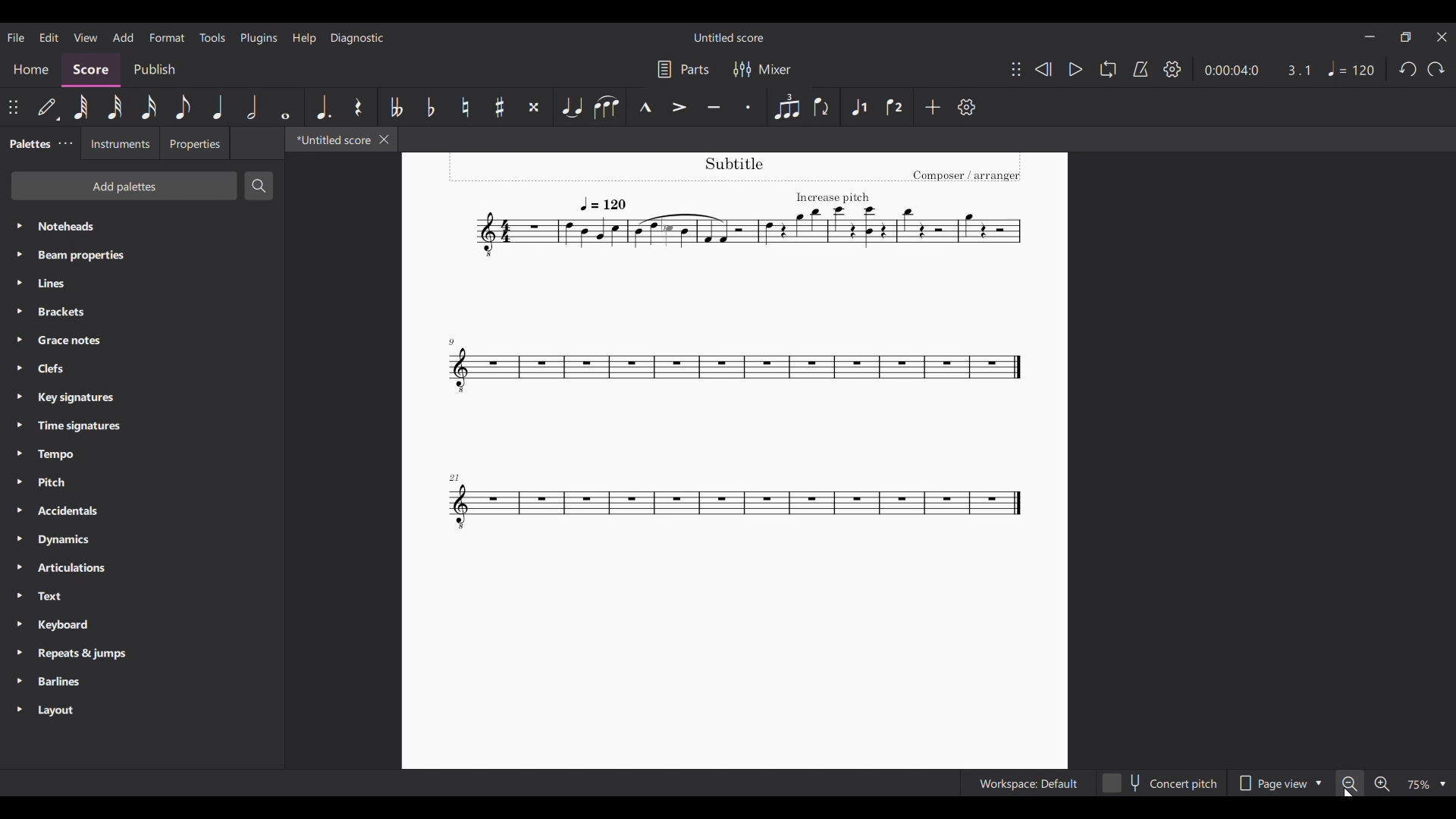  Describe the element at coordinates (384, 140) in the screenshot. I see `Close tab` at that location.